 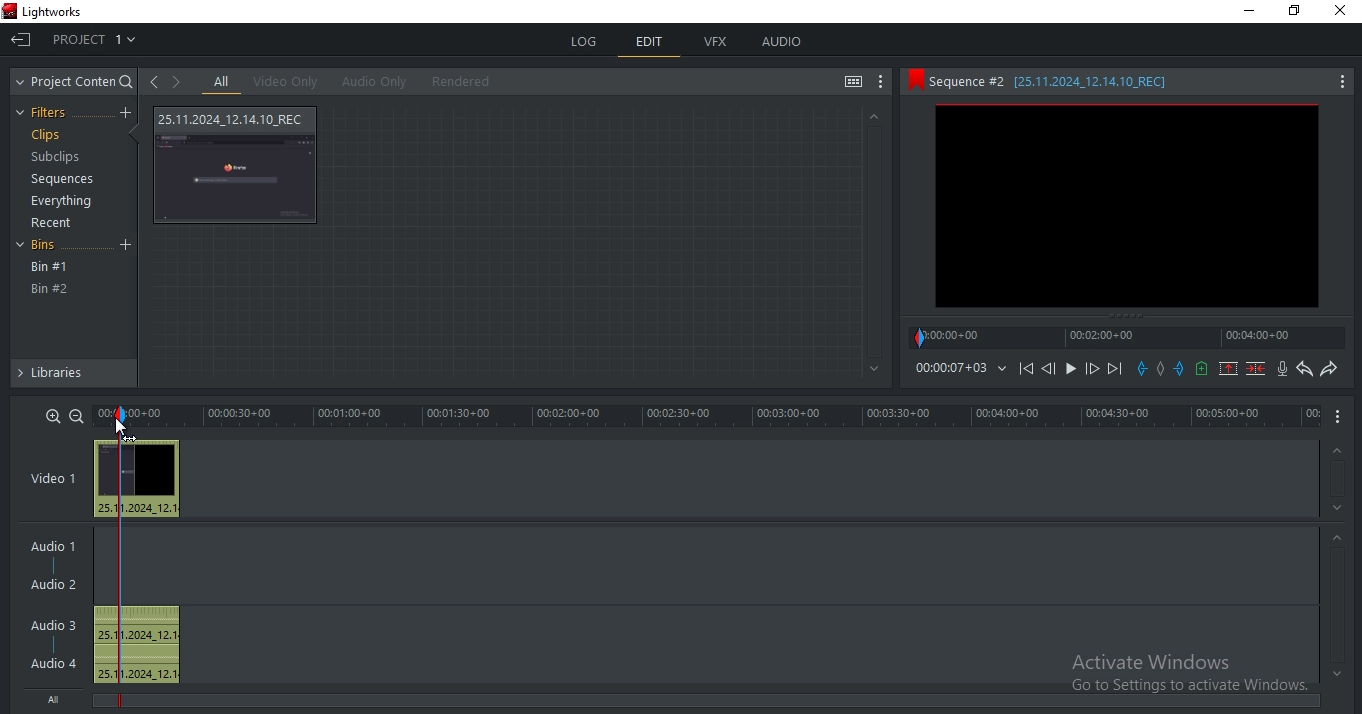 I want to click on remove marked section, so click(x=1229, y=368).